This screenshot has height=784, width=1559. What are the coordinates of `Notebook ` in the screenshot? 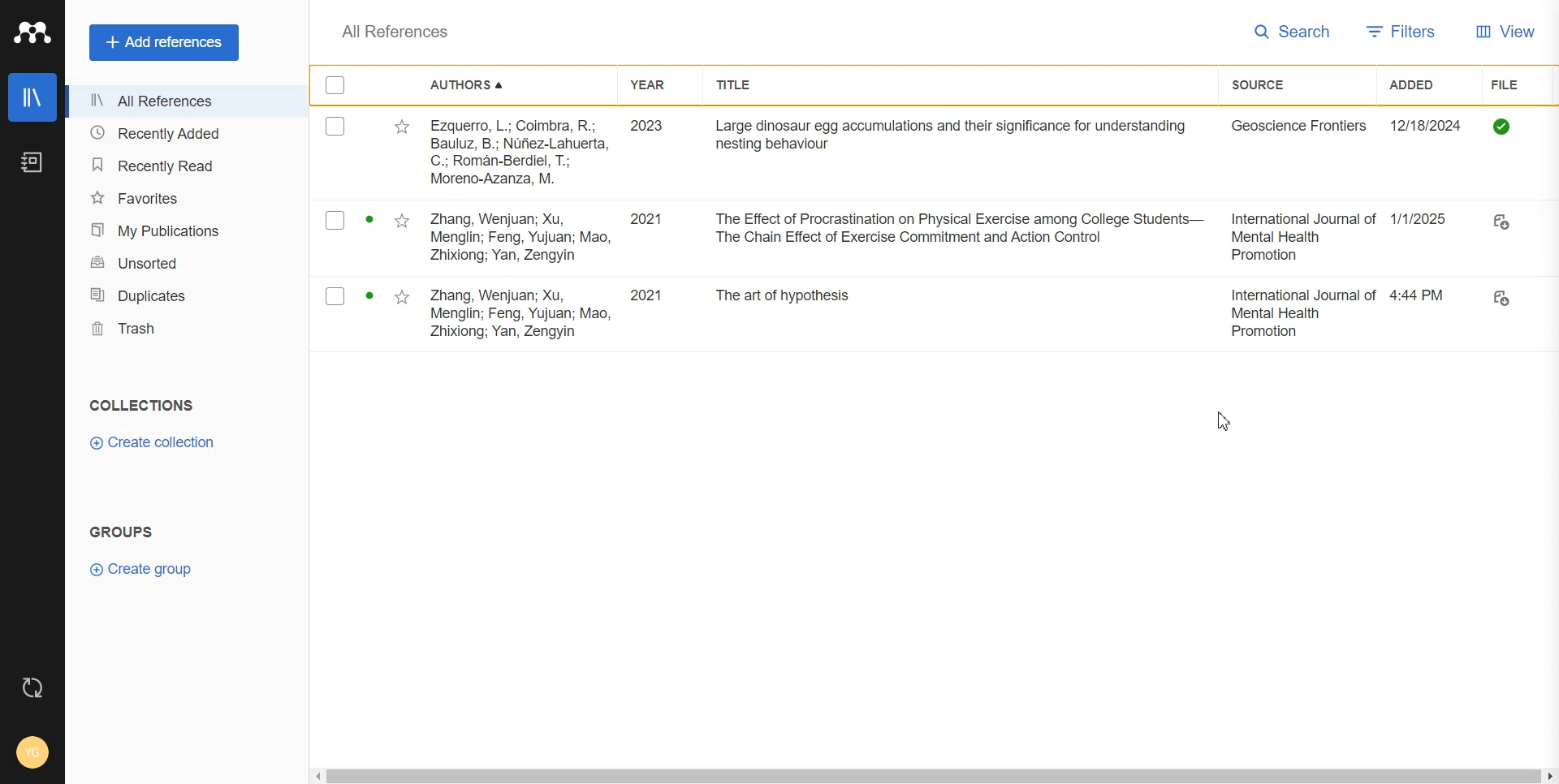 It's located at (34, 163).